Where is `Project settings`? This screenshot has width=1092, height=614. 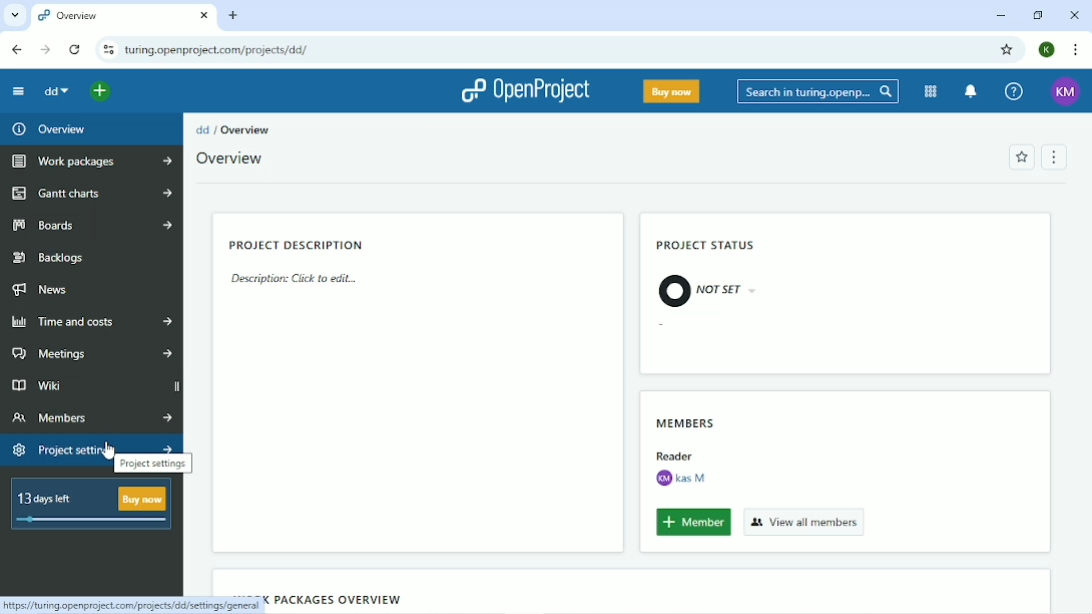 Project settings is located at coordinates (153, 462).